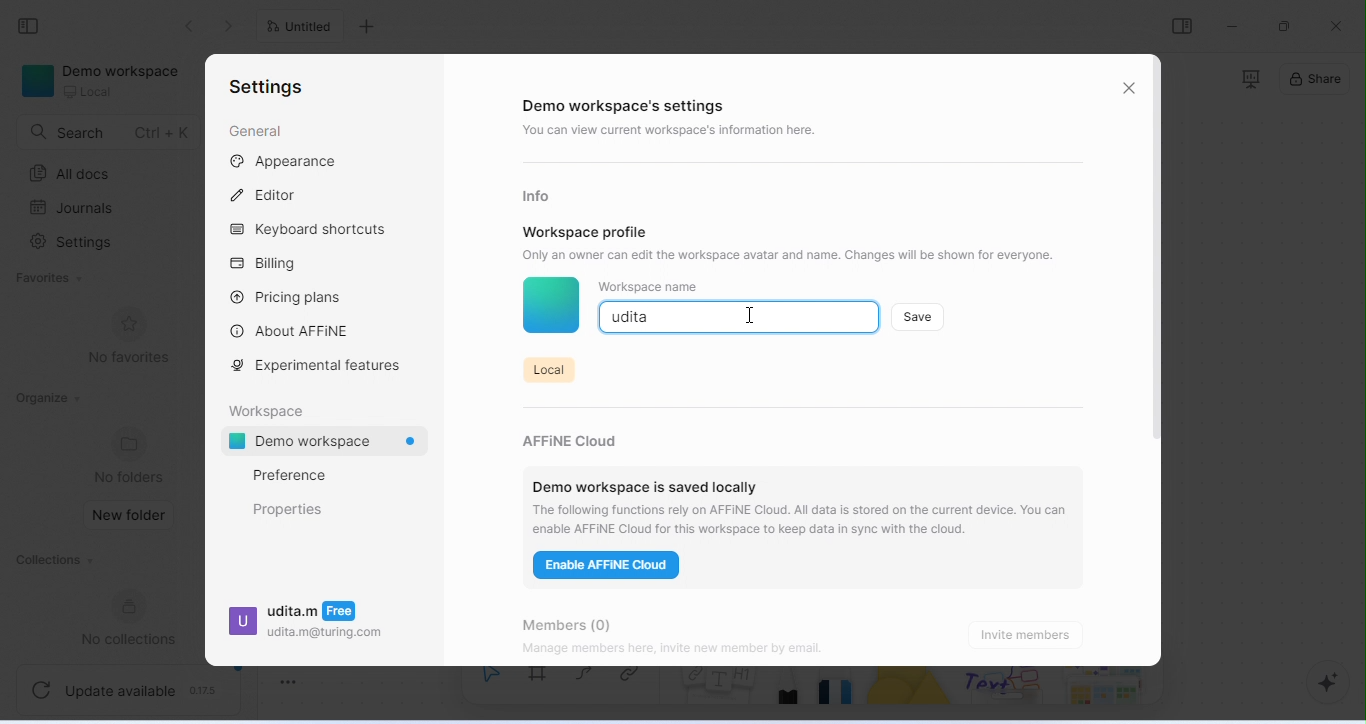 The height and width of the screenshot is (724, 1366). What do you see at coordinates (800, 254) in the screenshot?
I see `Only an owner can edit the workspace avatar and name. Changes will be shown for everyone.` at bounding box center [800, 254].